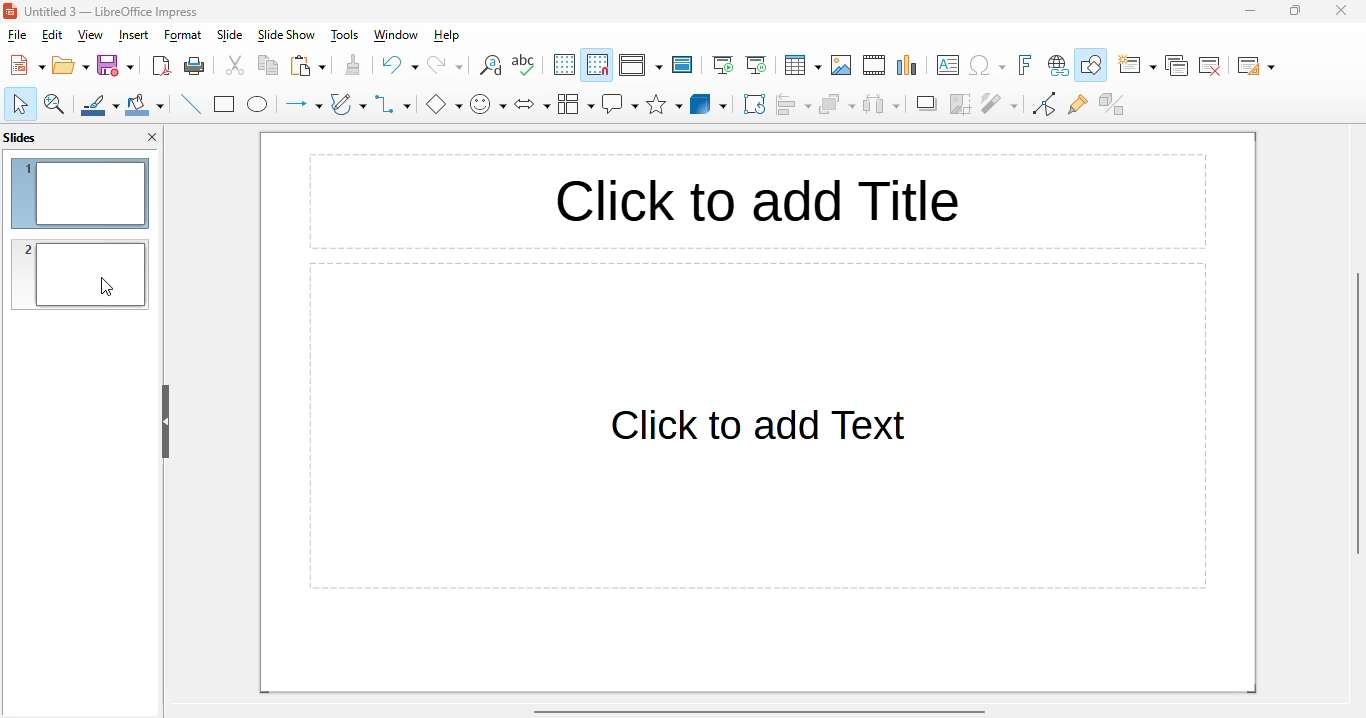 Image resolution: width=1366 pixels, height=718 pixels. Describe the element at coordinates (79, 194) in the screenshot. I see `slide 1` at that location.